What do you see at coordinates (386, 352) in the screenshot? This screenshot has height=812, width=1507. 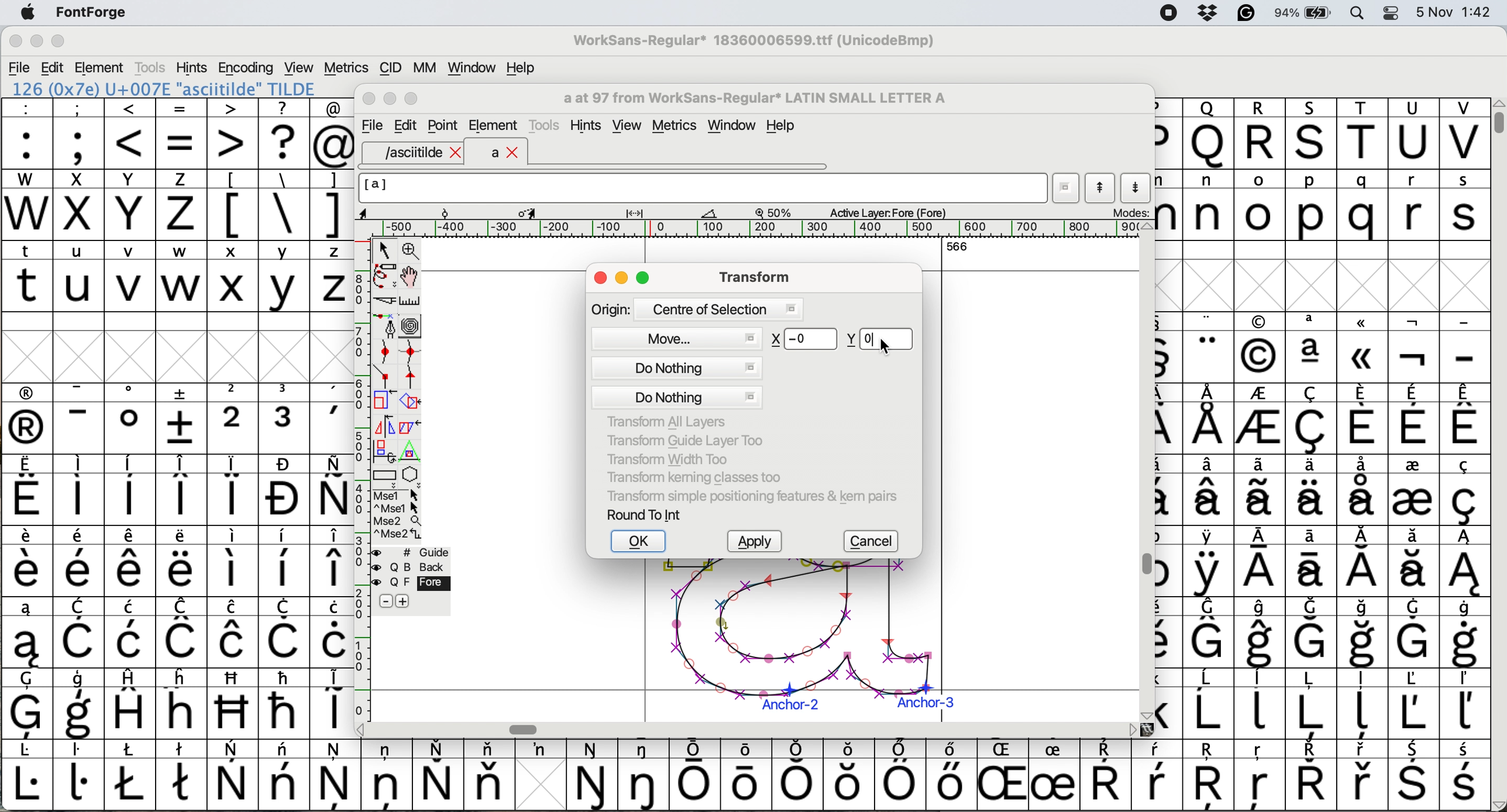 I see `add a curve point` at bounding box center [386, 352].